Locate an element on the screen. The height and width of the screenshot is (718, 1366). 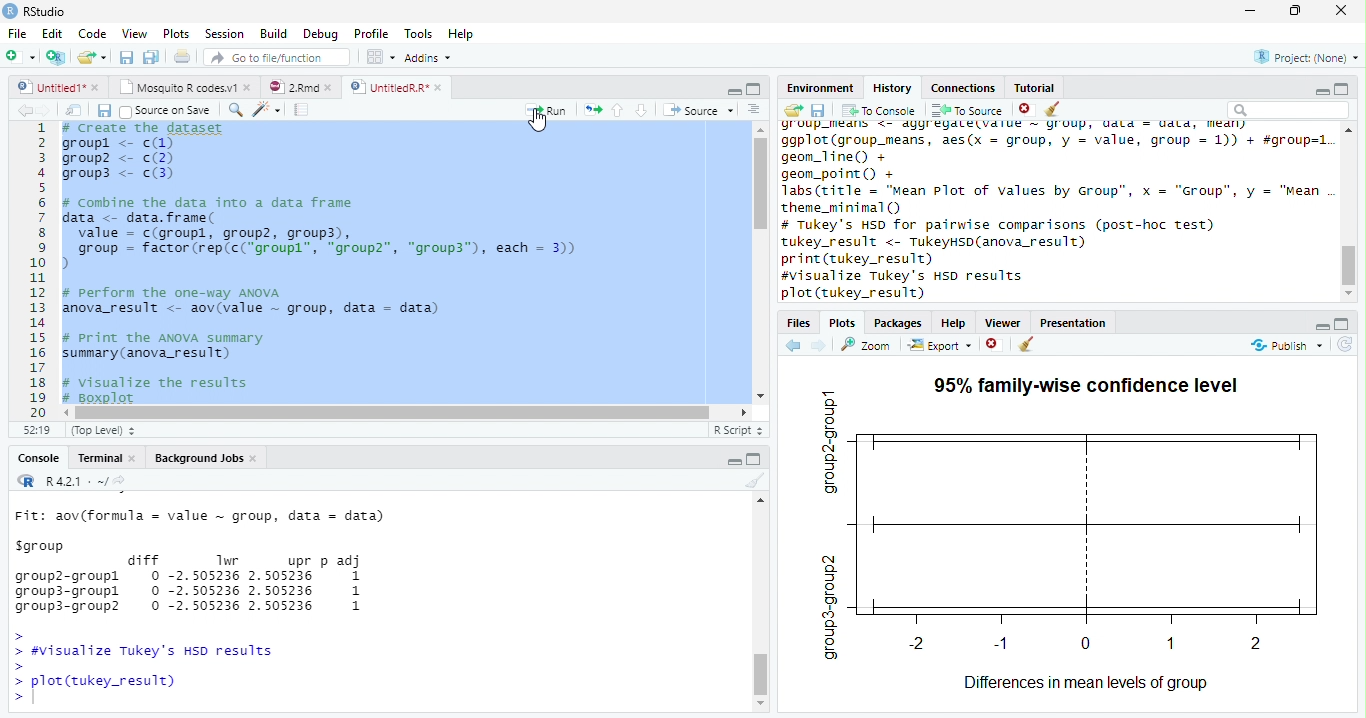
Load Workspace is located at coordinates (794, 109).